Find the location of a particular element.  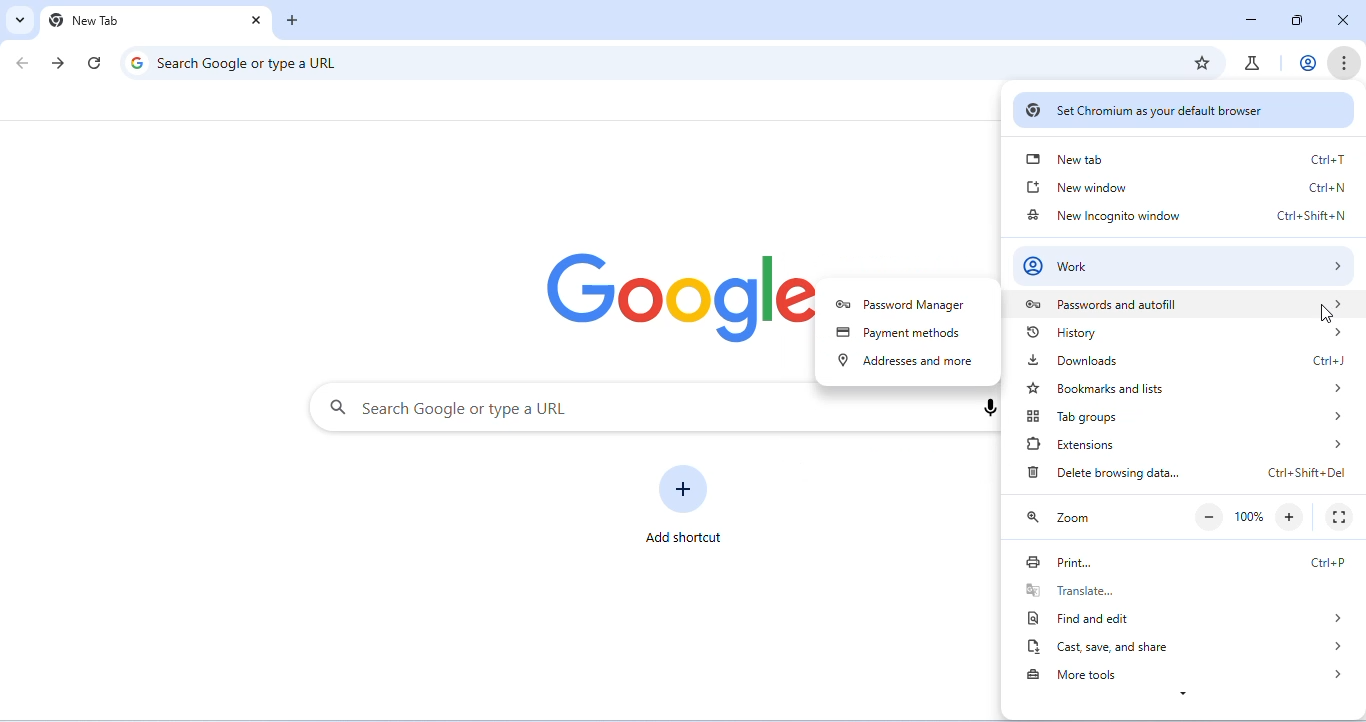

work is located at coordinates (1184, 262).